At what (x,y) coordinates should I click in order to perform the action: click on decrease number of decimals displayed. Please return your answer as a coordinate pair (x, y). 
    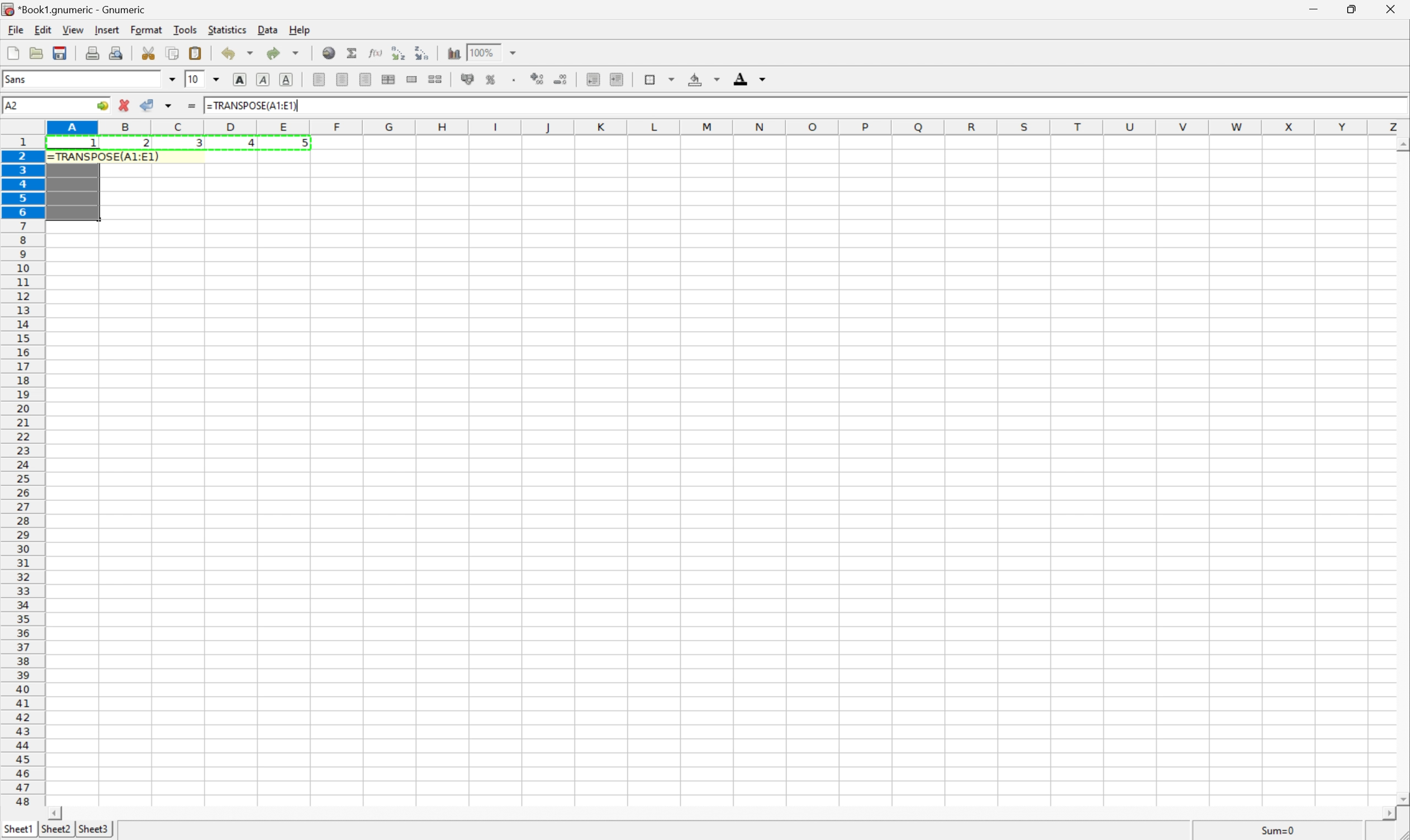
    Looking at the image, I should click on (559, 79).